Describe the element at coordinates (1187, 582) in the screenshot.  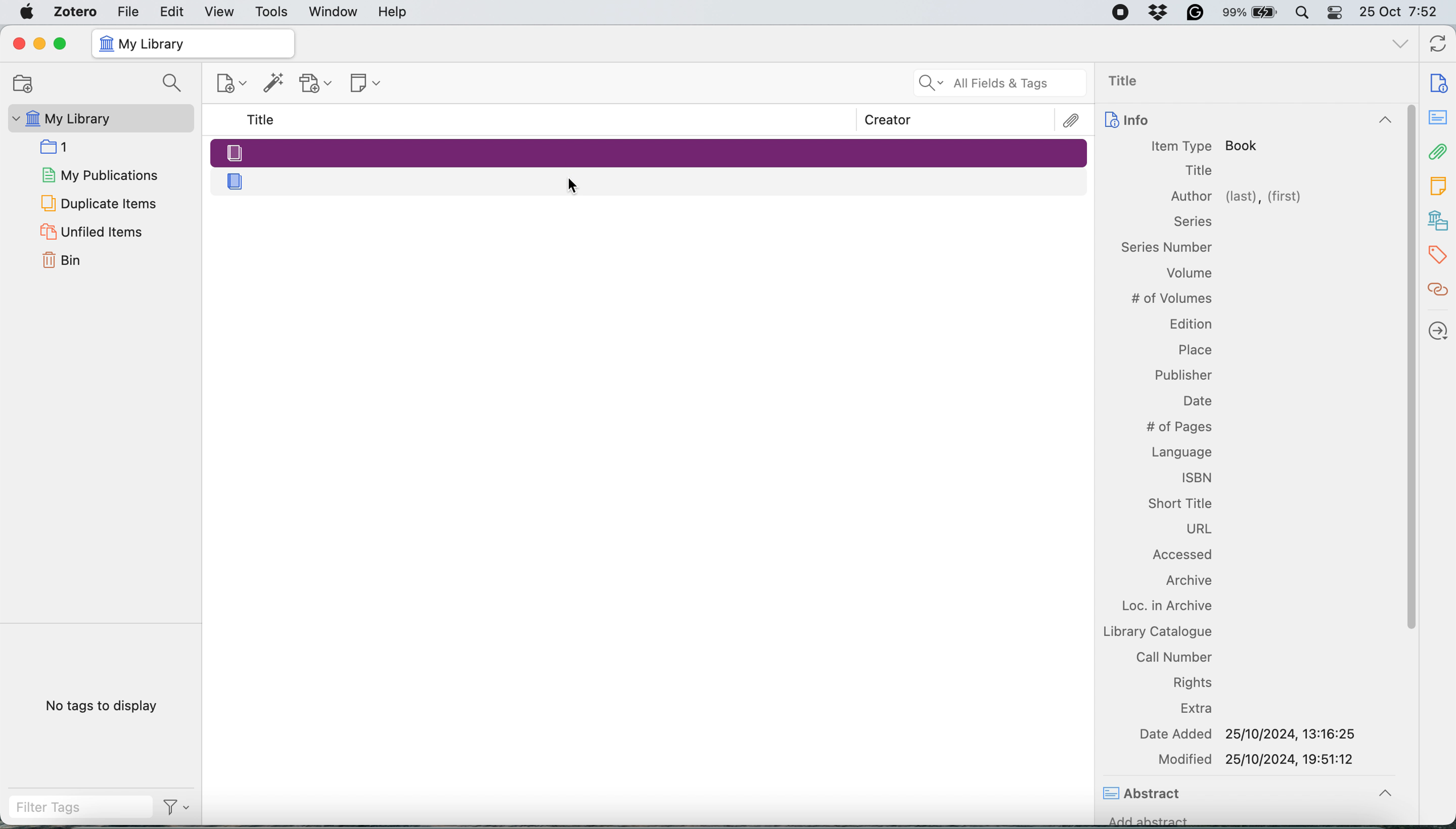
I see `Archive` at that location.